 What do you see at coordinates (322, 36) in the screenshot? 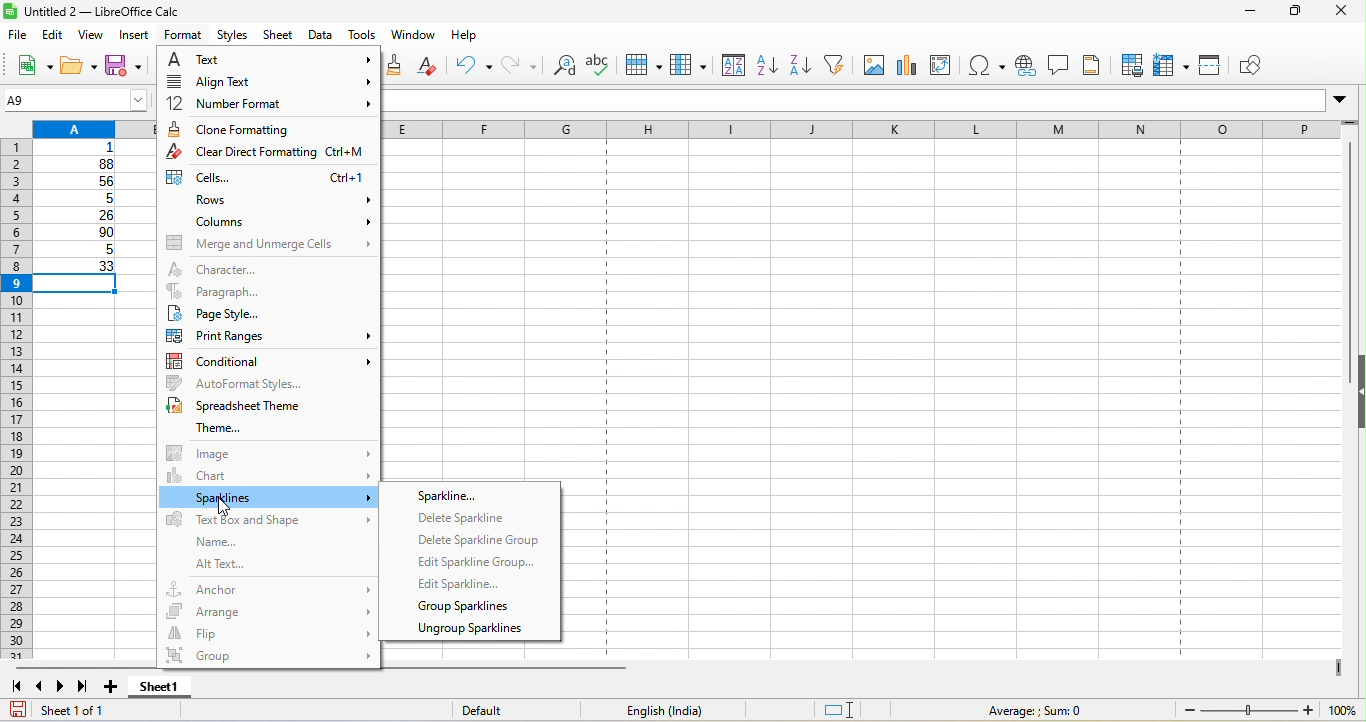
I see `data` at bounding box center [322, 36].